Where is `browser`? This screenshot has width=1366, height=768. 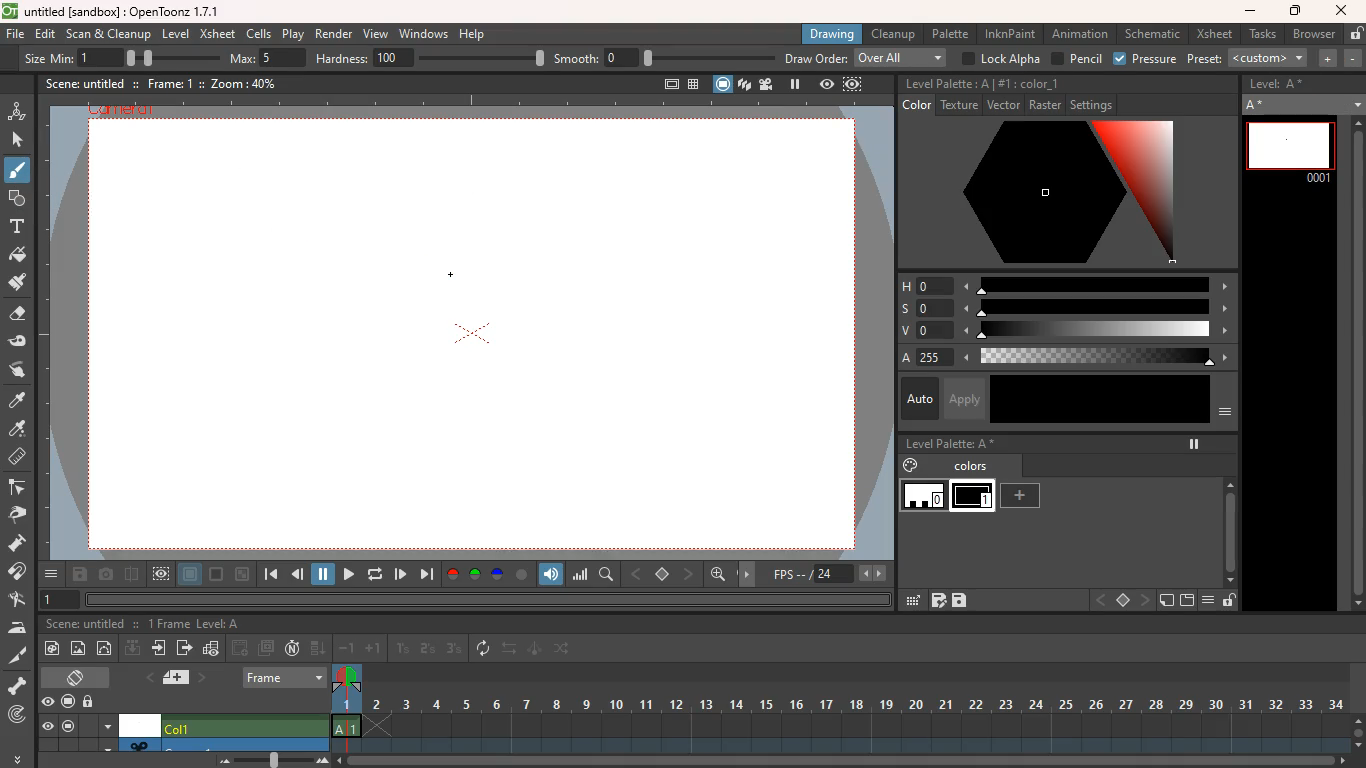 browser is located at coordinates (1312, 33).